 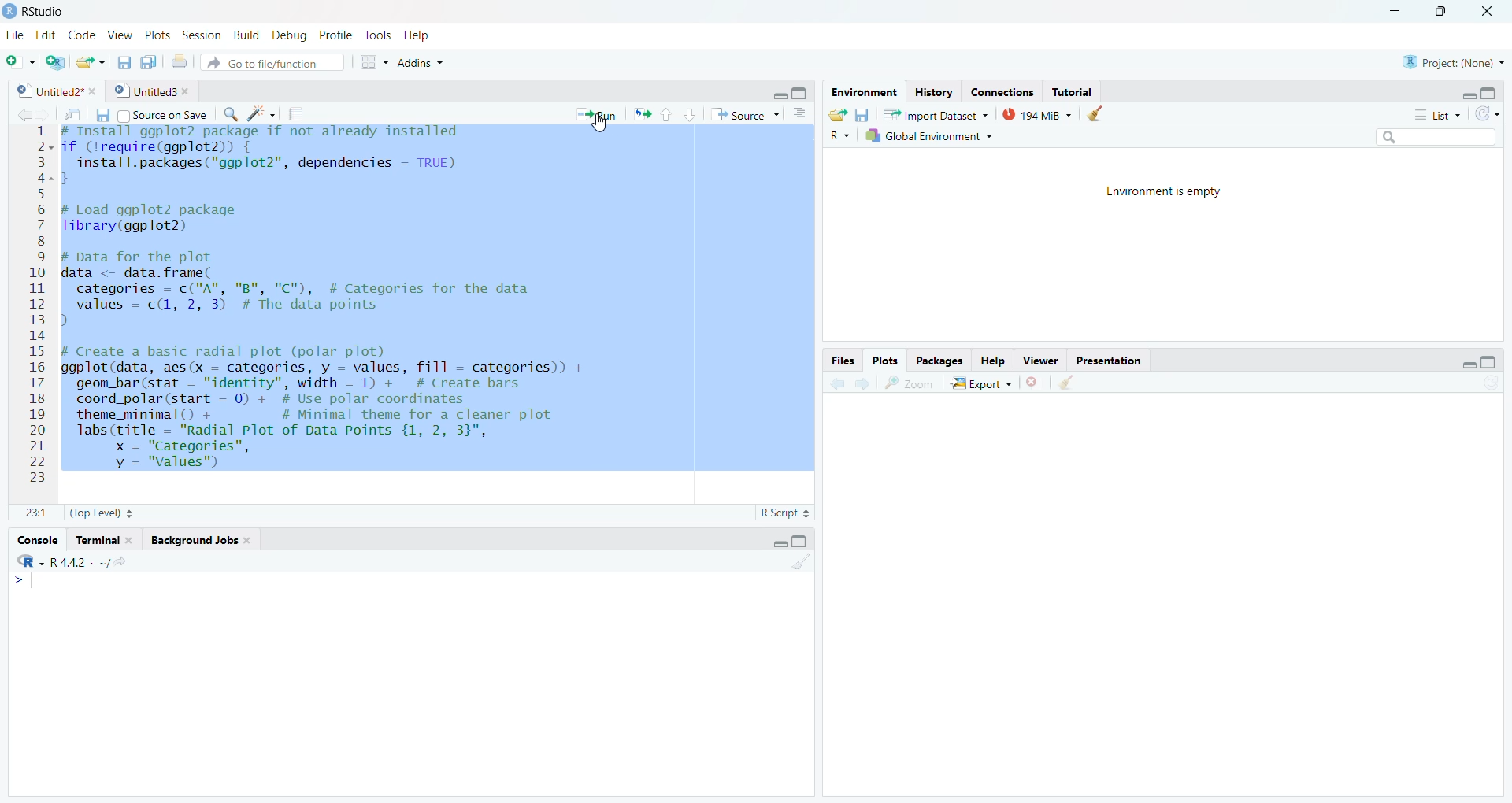 What do you see at coordinates (37, 309) in the screenshot?
I see `2
3
4
5
6
7
8
9
10
ay
12
13
14
15
16
17
18
19
20
21
22
23` at bounding box center [37, 309].